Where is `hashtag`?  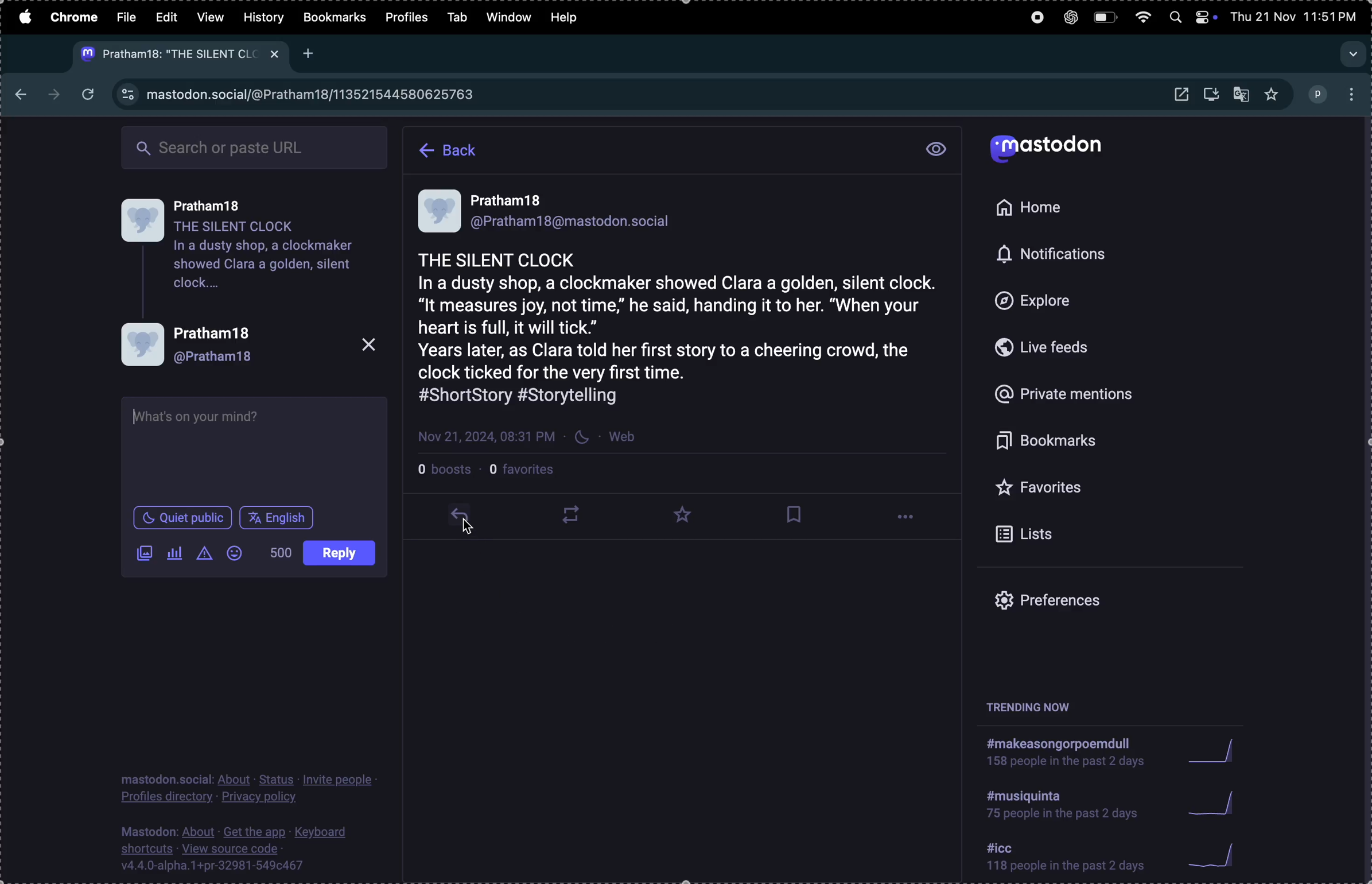
hashtag is located at coordinates (1066, 750).